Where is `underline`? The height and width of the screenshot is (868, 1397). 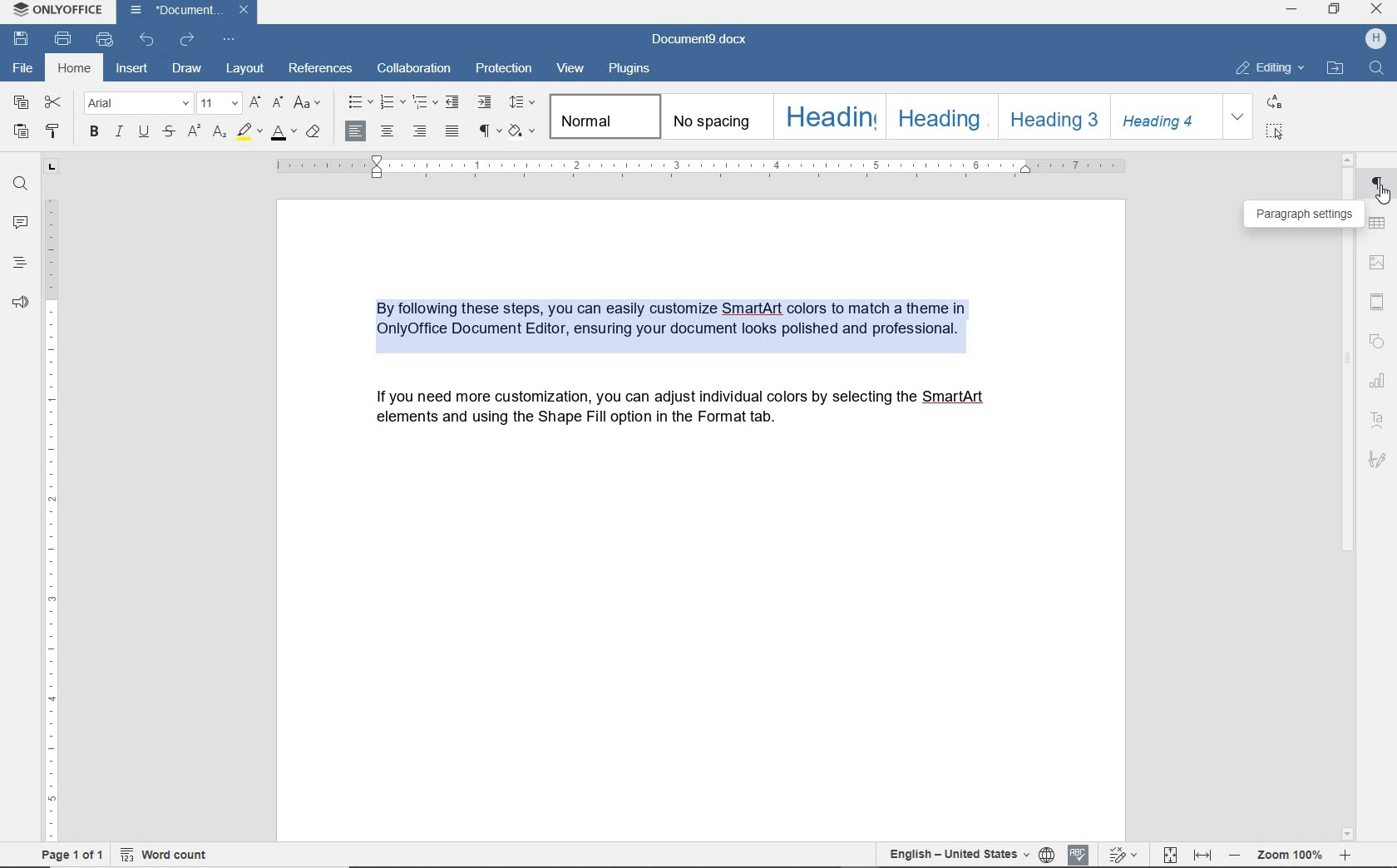 underline is located at coordinates (144, 132).